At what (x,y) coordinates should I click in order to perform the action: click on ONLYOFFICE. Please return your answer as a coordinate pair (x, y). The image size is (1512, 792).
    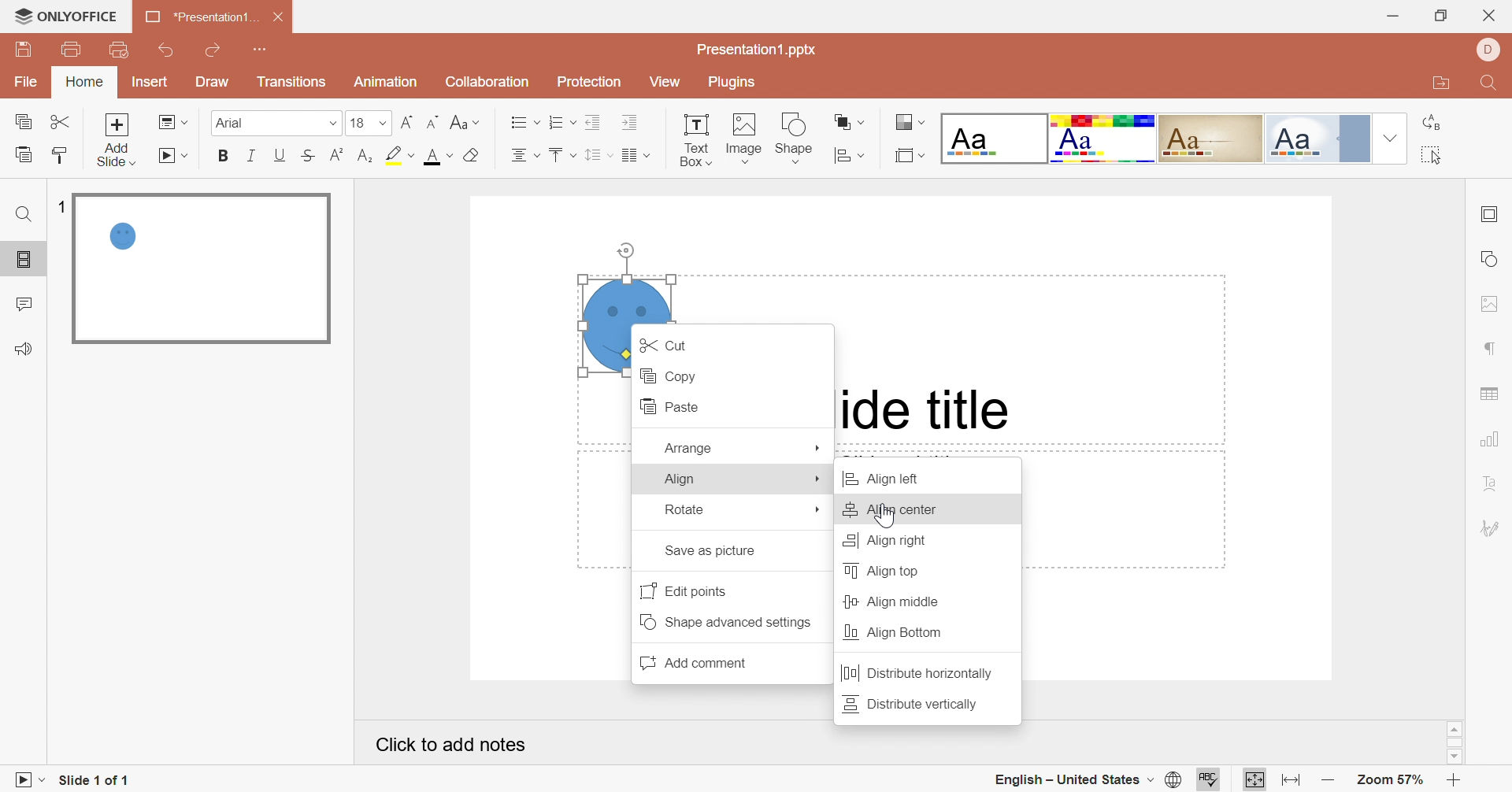
    Looking at the image, I should click on (67, 17).